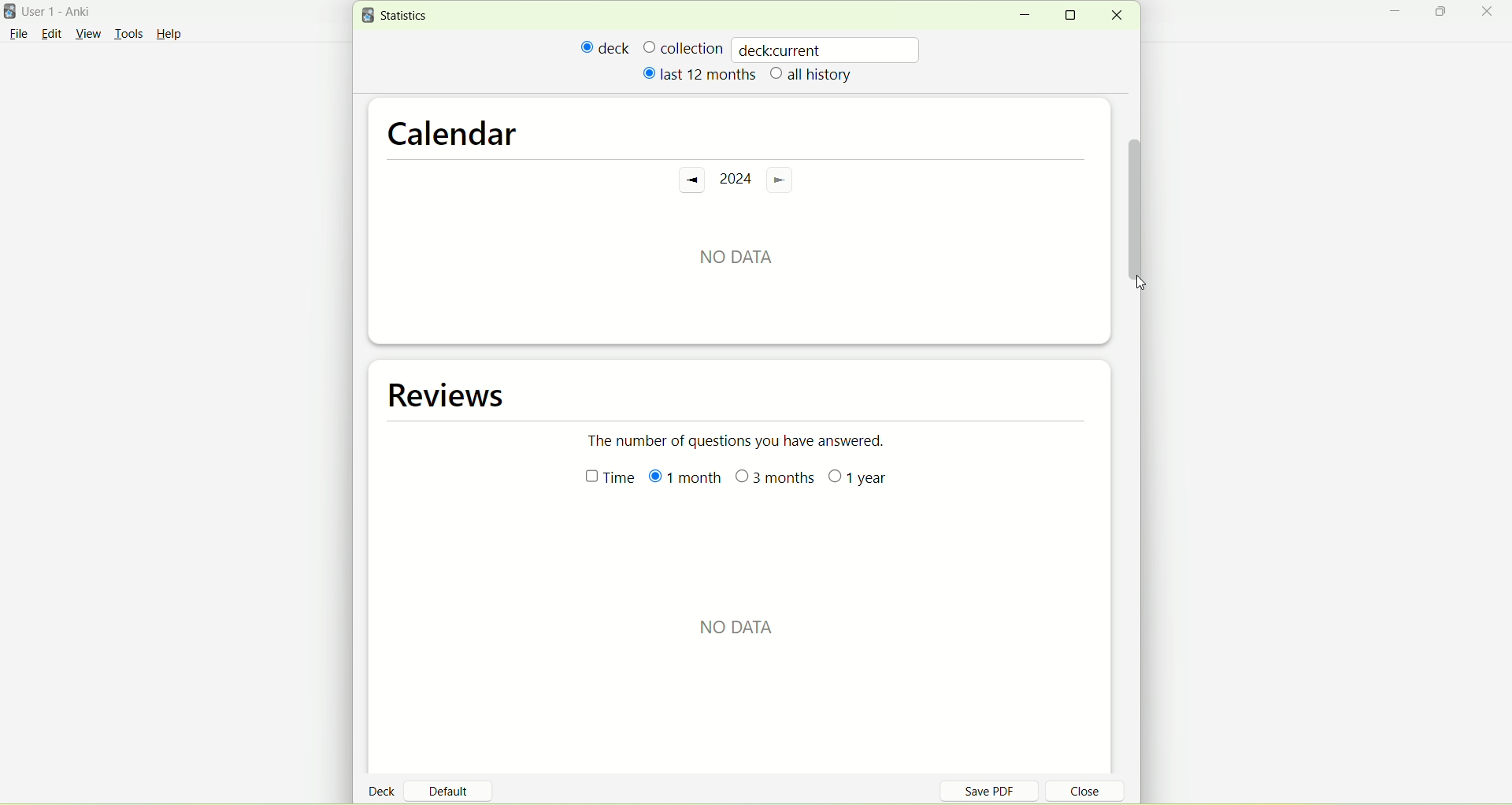  I want to click on vertical scroll bar, so click(1135, 199).